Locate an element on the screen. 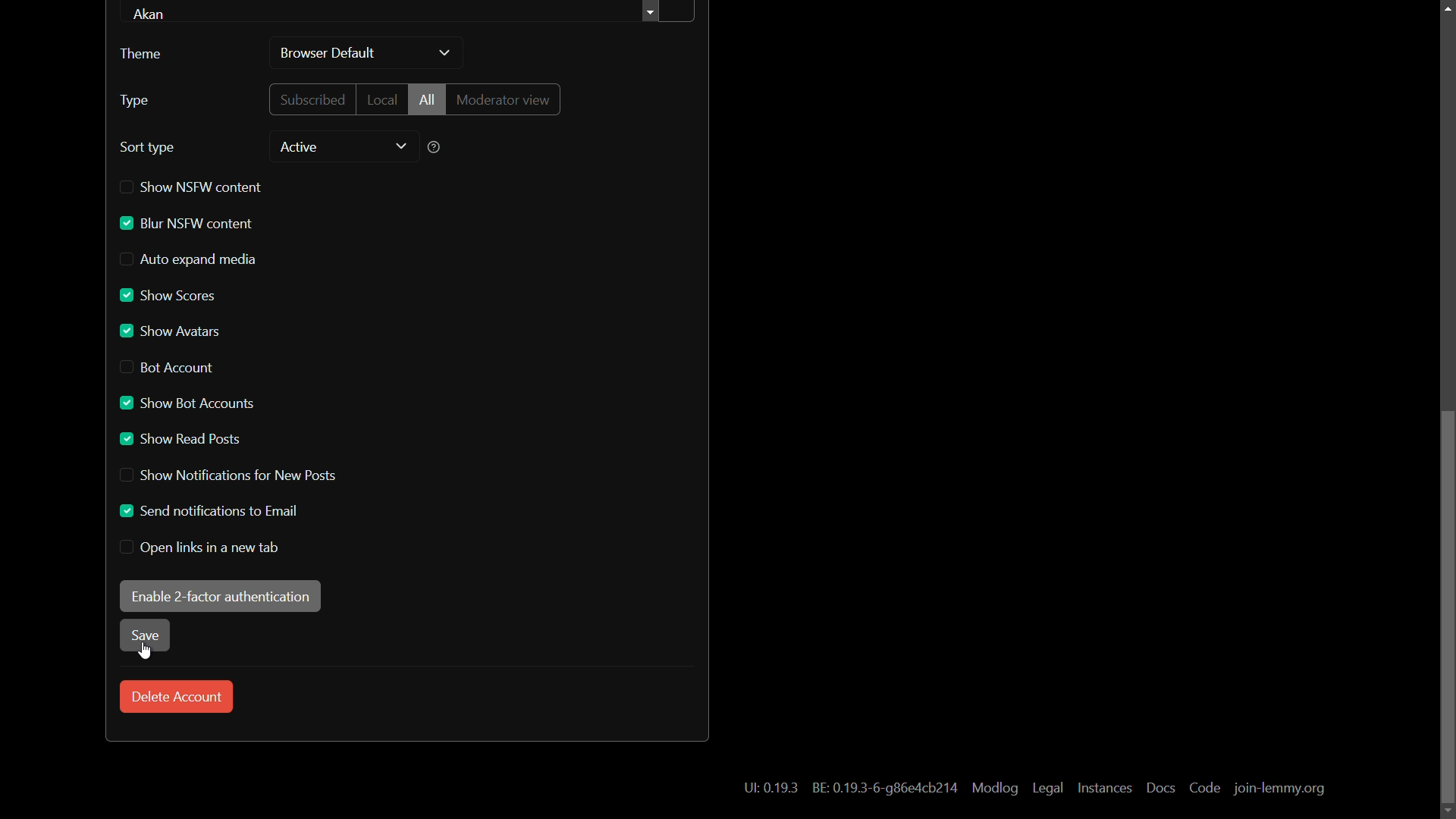  dropdown is located at coordinates (444, 54).